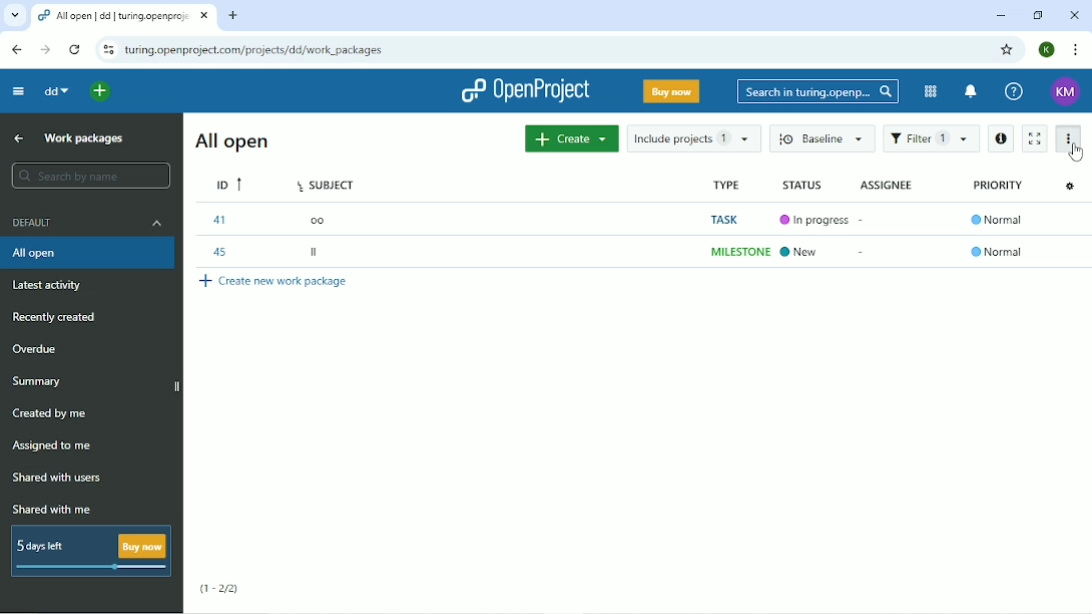 The image size is (1092, 614). Describe the element at coordinates (318, 253) in the screenshot. I see `II` at that location.